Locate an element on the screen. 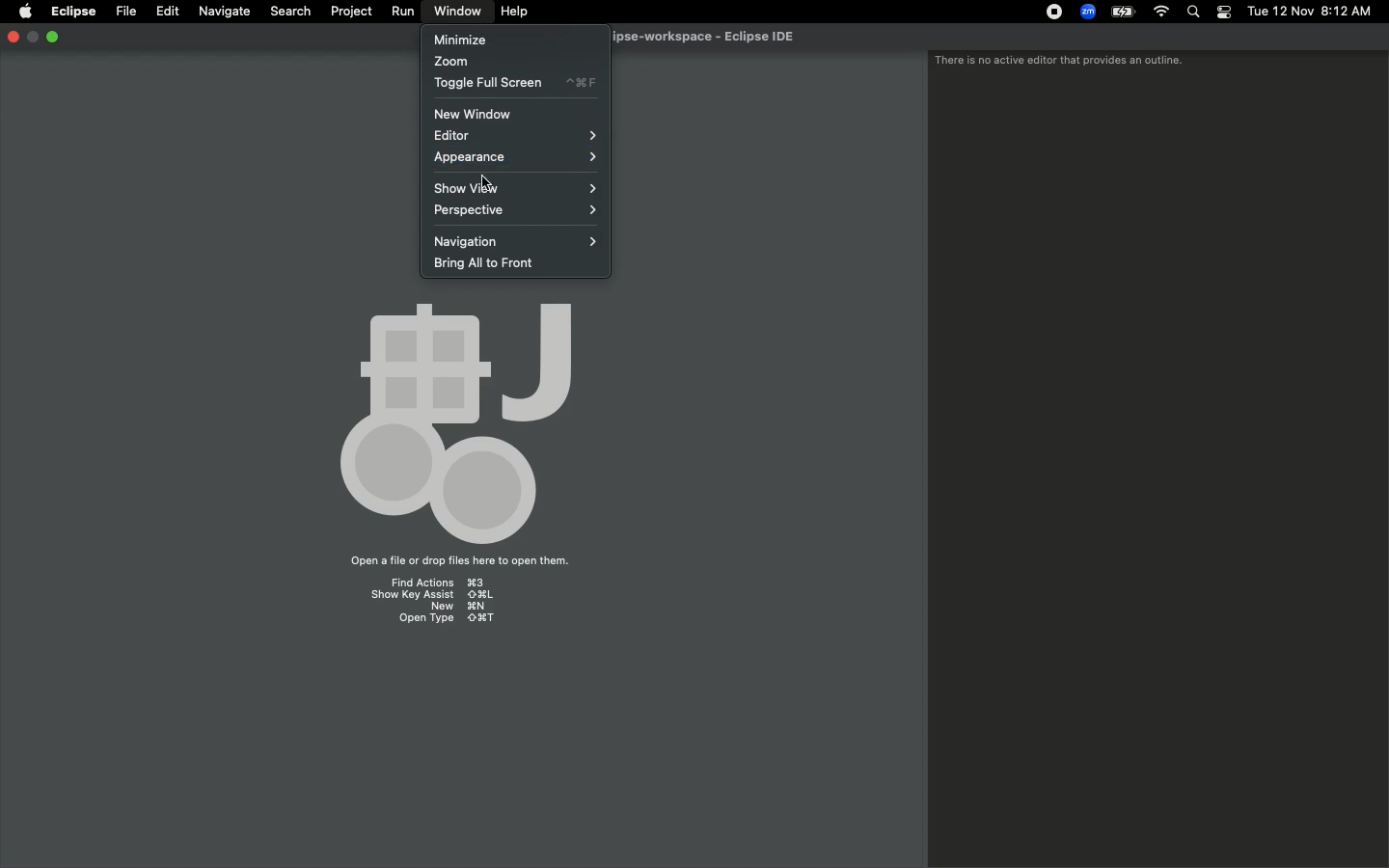 The image size is (1389, 868). Internet is located at coordinates (1159, 13).